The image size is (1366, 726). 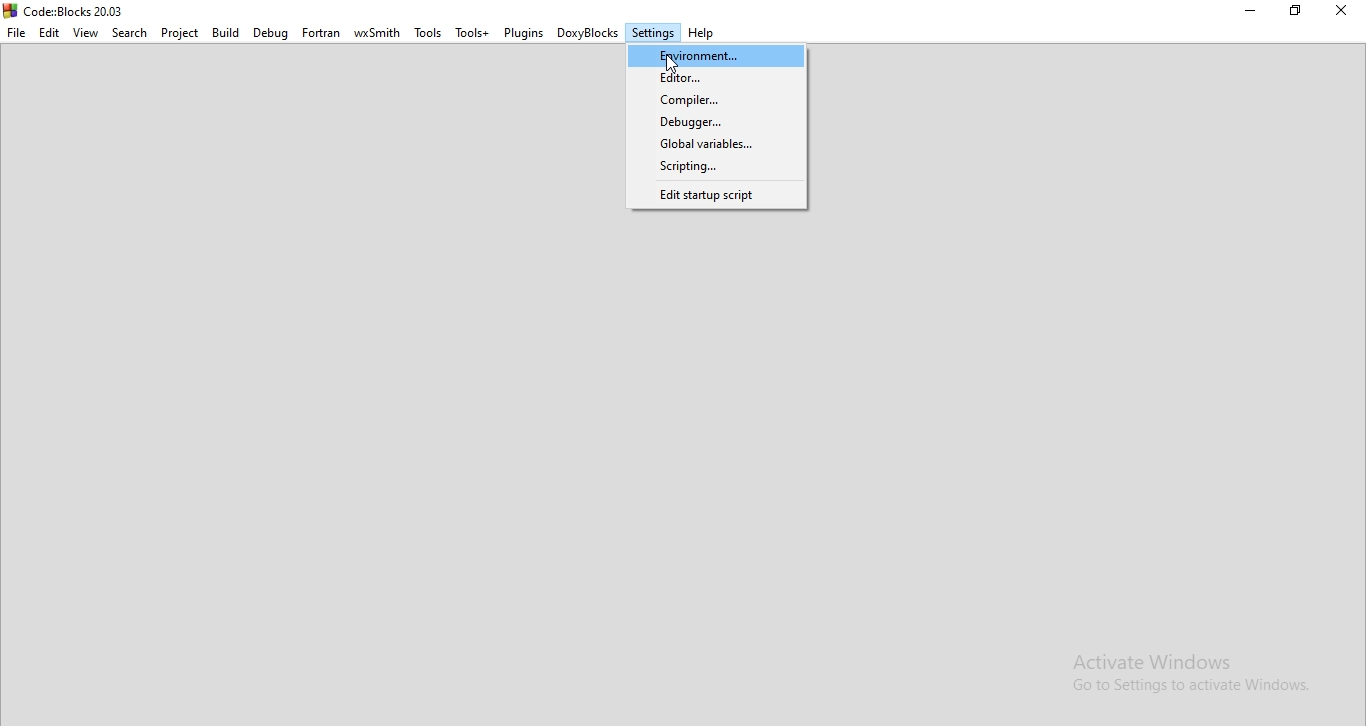 I want to click on Plugins, so click(x=524, y=32).